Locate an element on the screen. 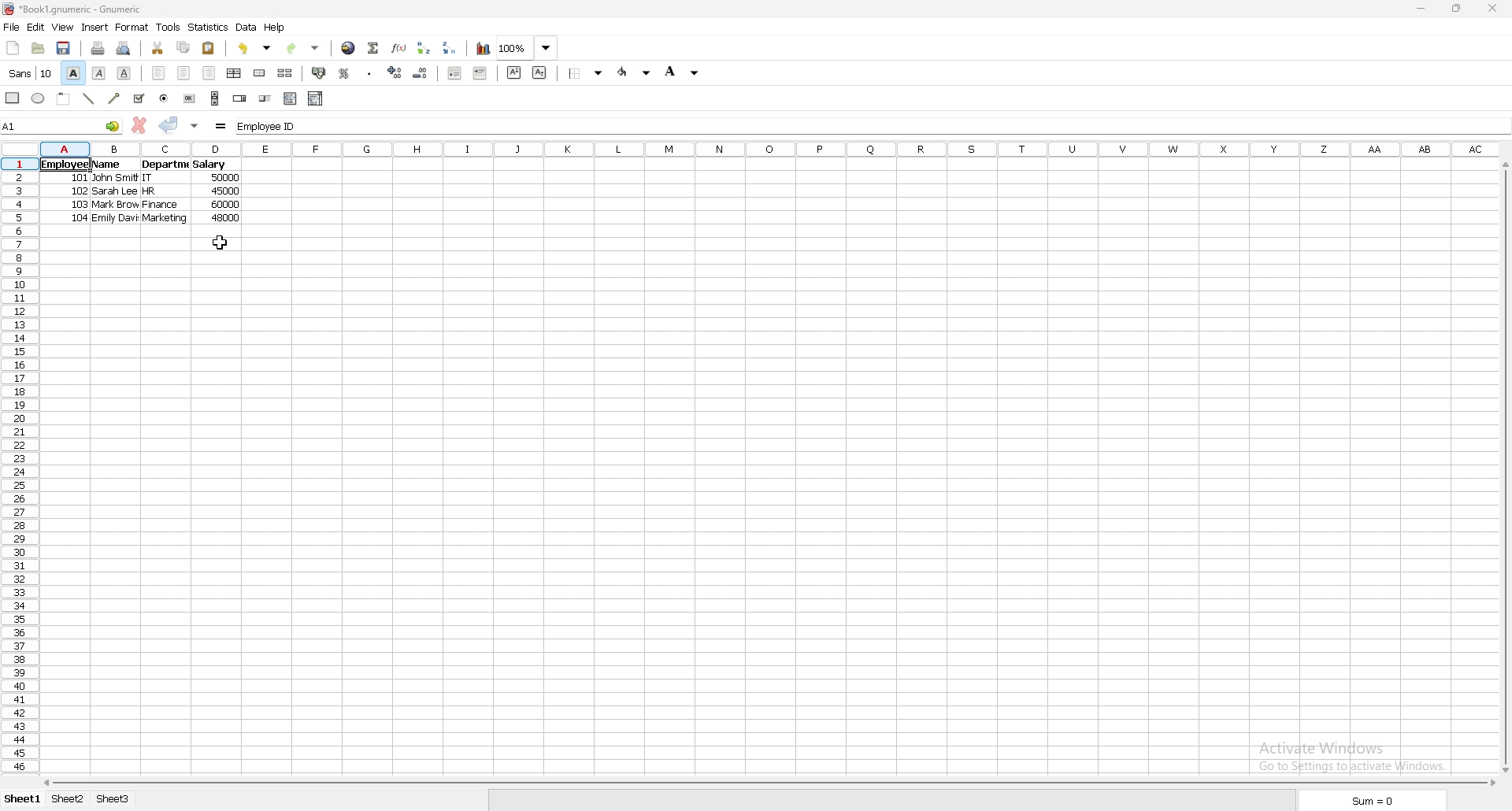  sheet 1 is located at coordinates (20, 800).